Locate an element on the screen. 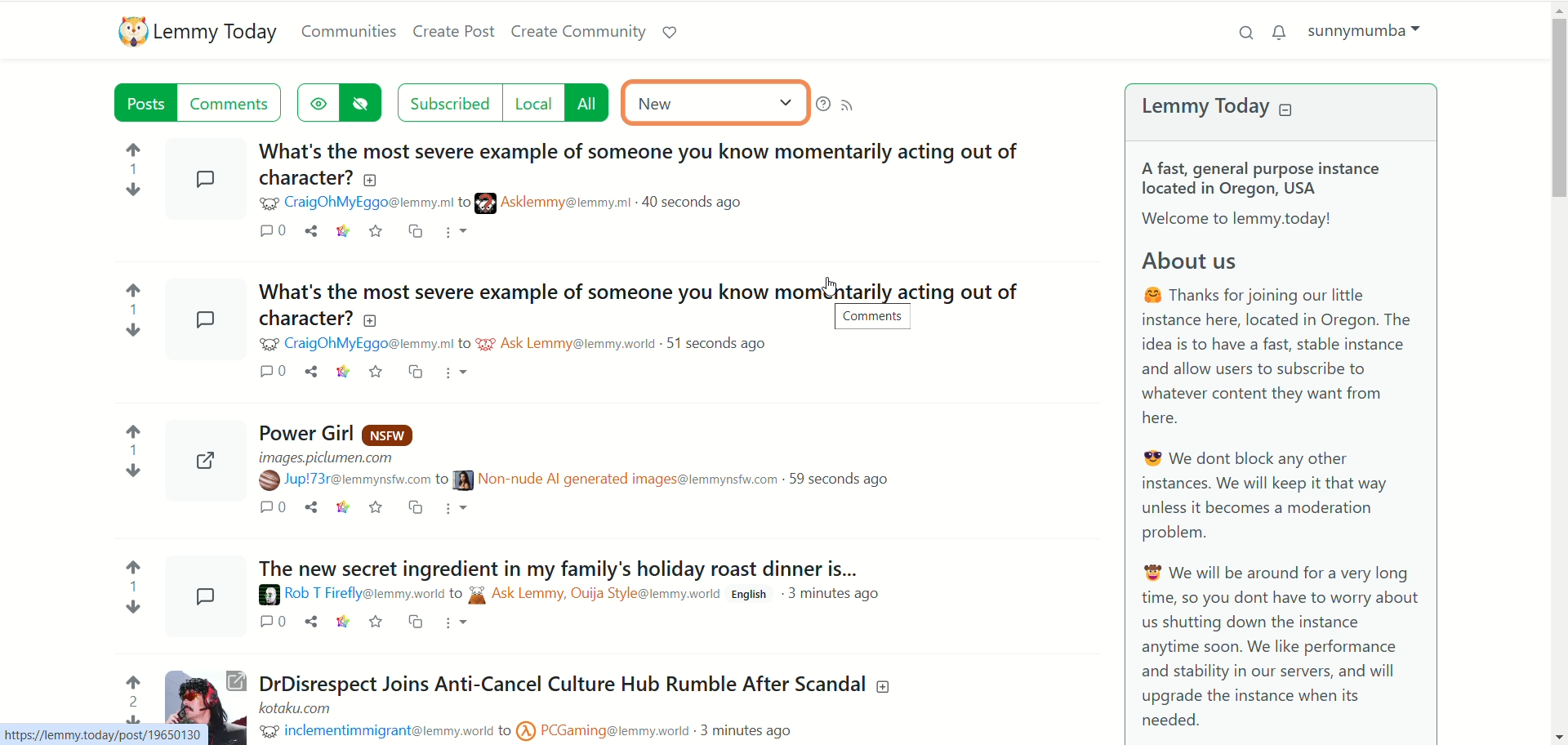 The width and height of the screenshot is (1568, 745). Image preview is located at coordinates (208, 694).